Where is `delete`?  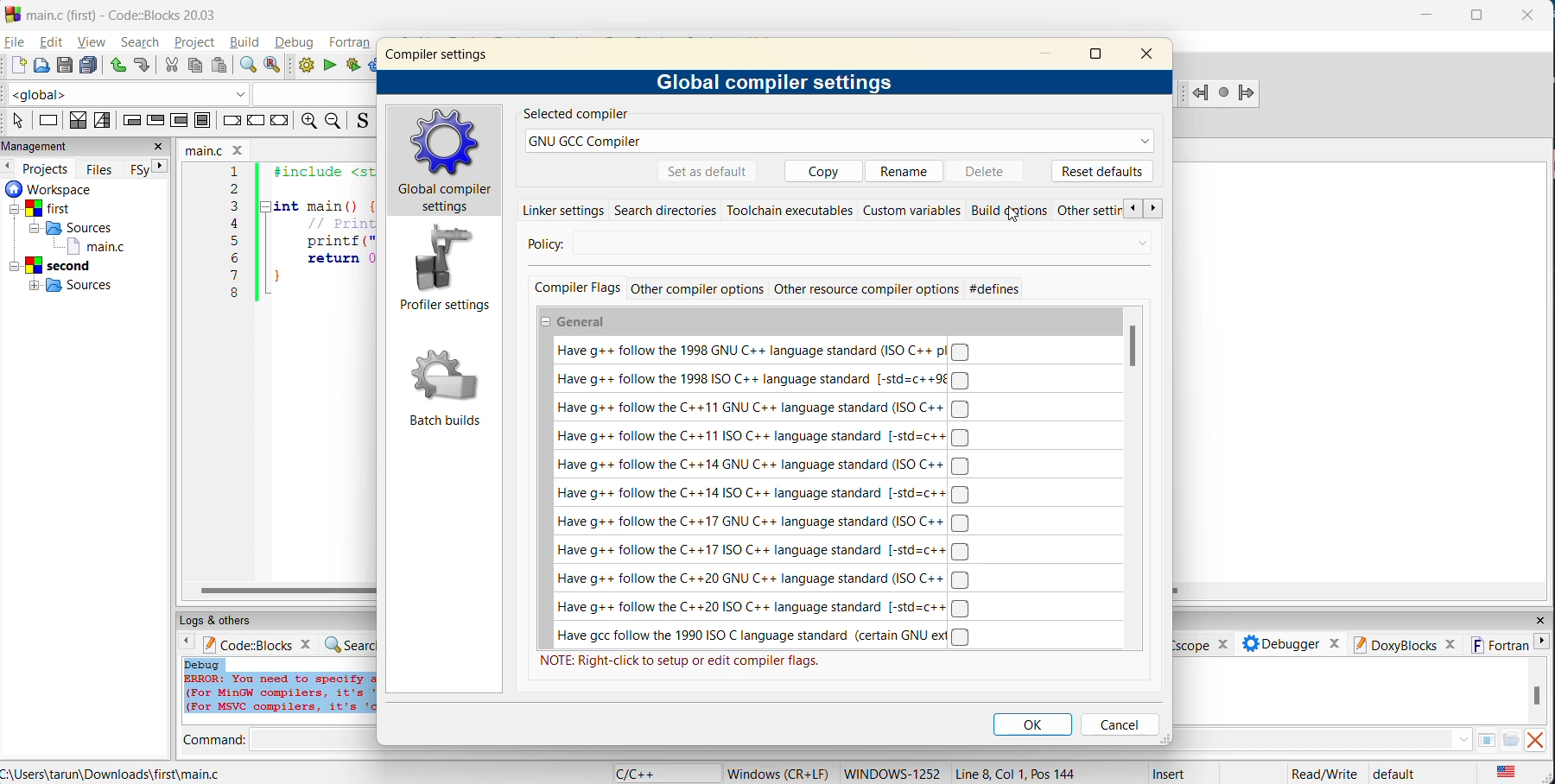 delete is located at coordinates (987, 171).